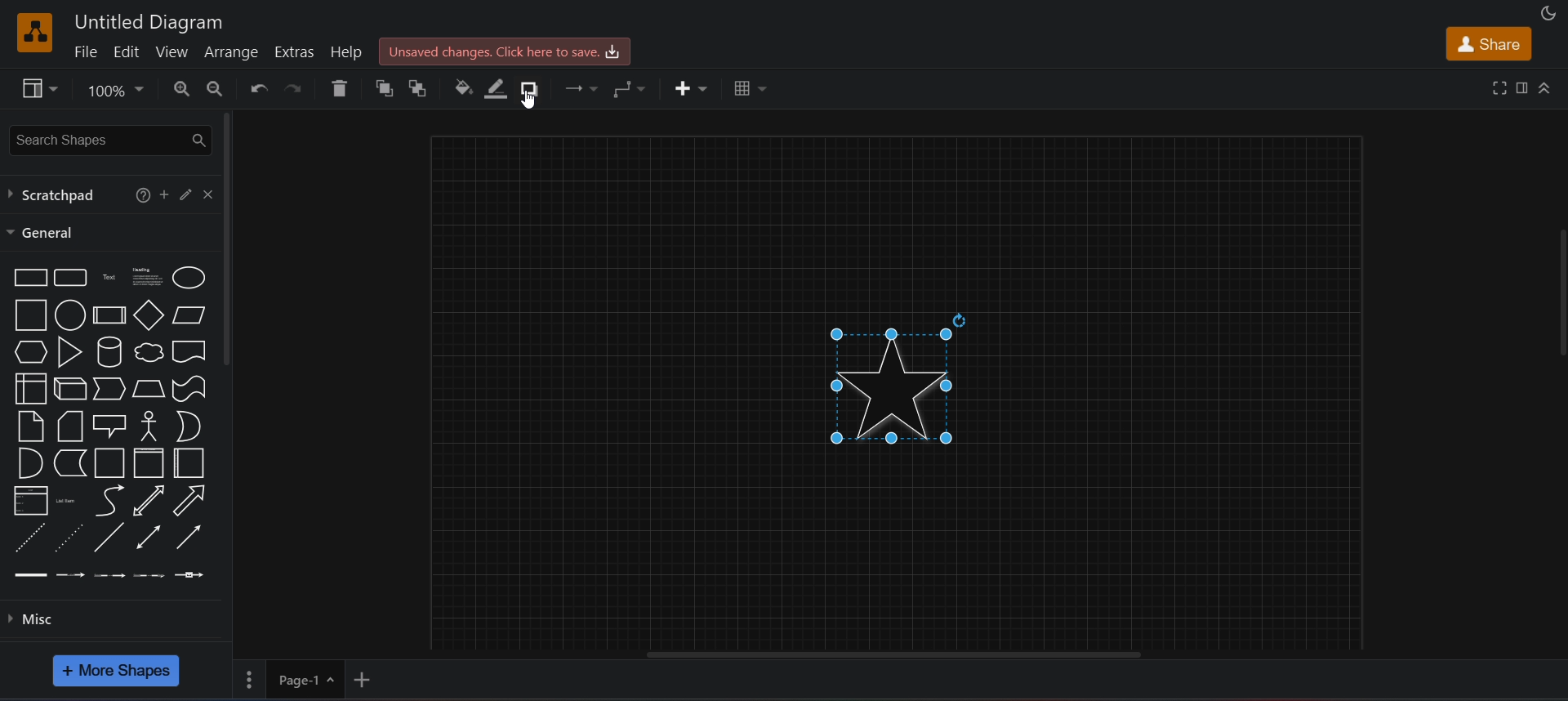  What do you see at coordinates (88, 51) in the screenshot?
I see `file` at bounding box center [88, 51].